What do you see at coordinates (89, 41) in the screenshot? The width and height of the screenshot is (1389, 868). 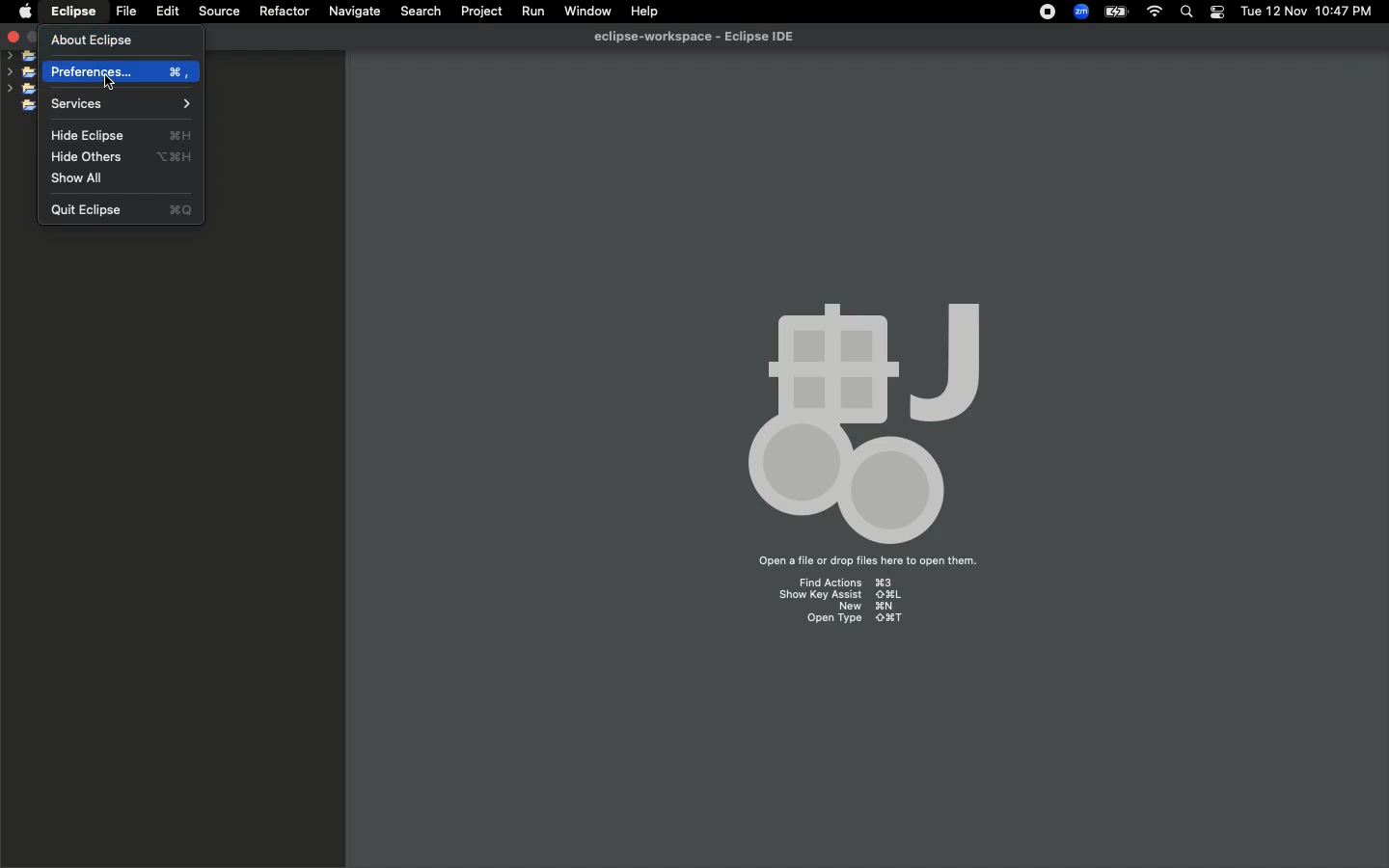 I see `About eclipse` at bounding box center [89, 41].